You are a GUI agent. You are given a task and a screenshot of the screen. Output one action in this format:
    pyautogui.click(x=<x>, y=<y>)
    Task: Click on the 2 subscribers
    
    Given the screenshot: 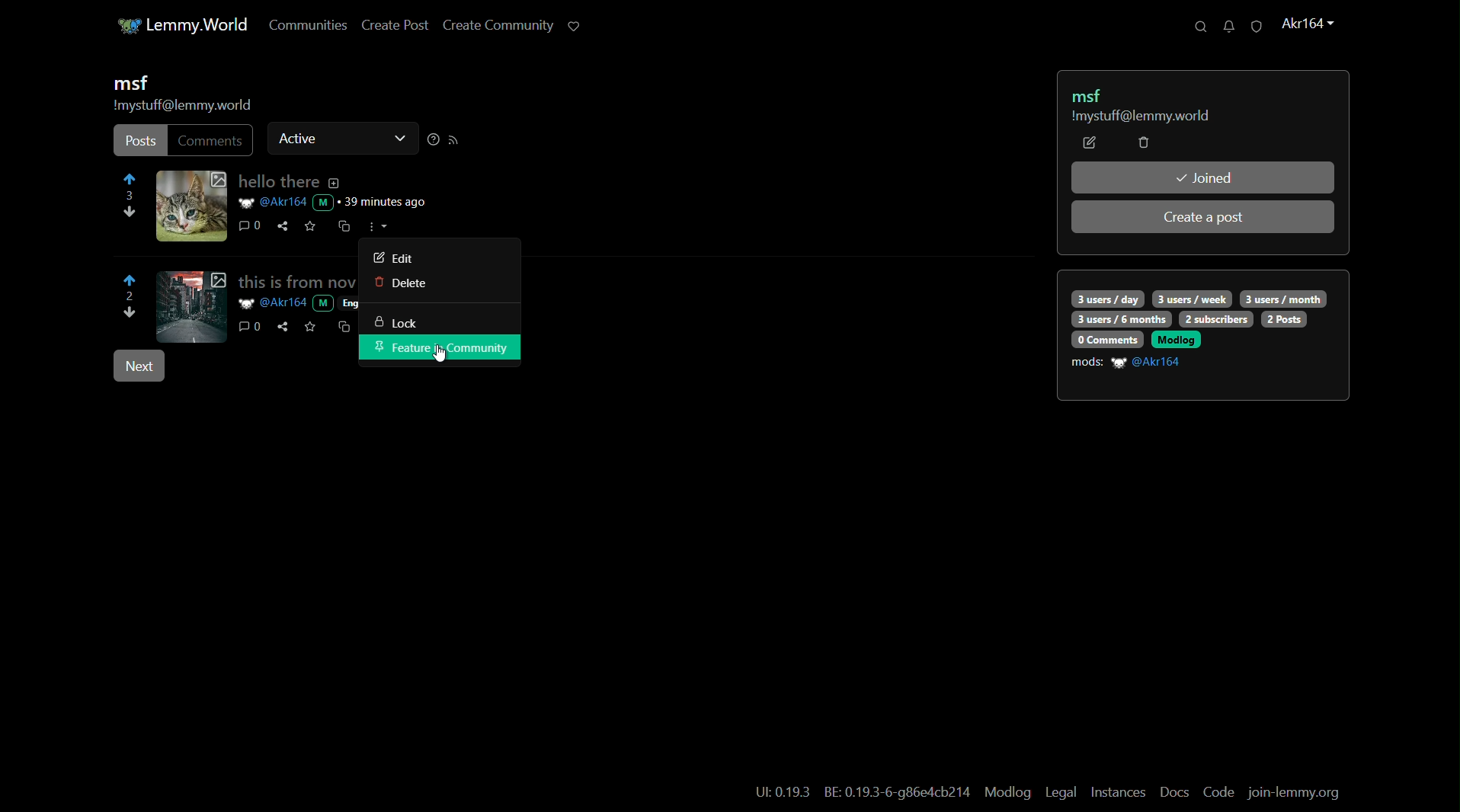 What is the action you would take?
    pyautogui.click(x=1216, y=319)
    